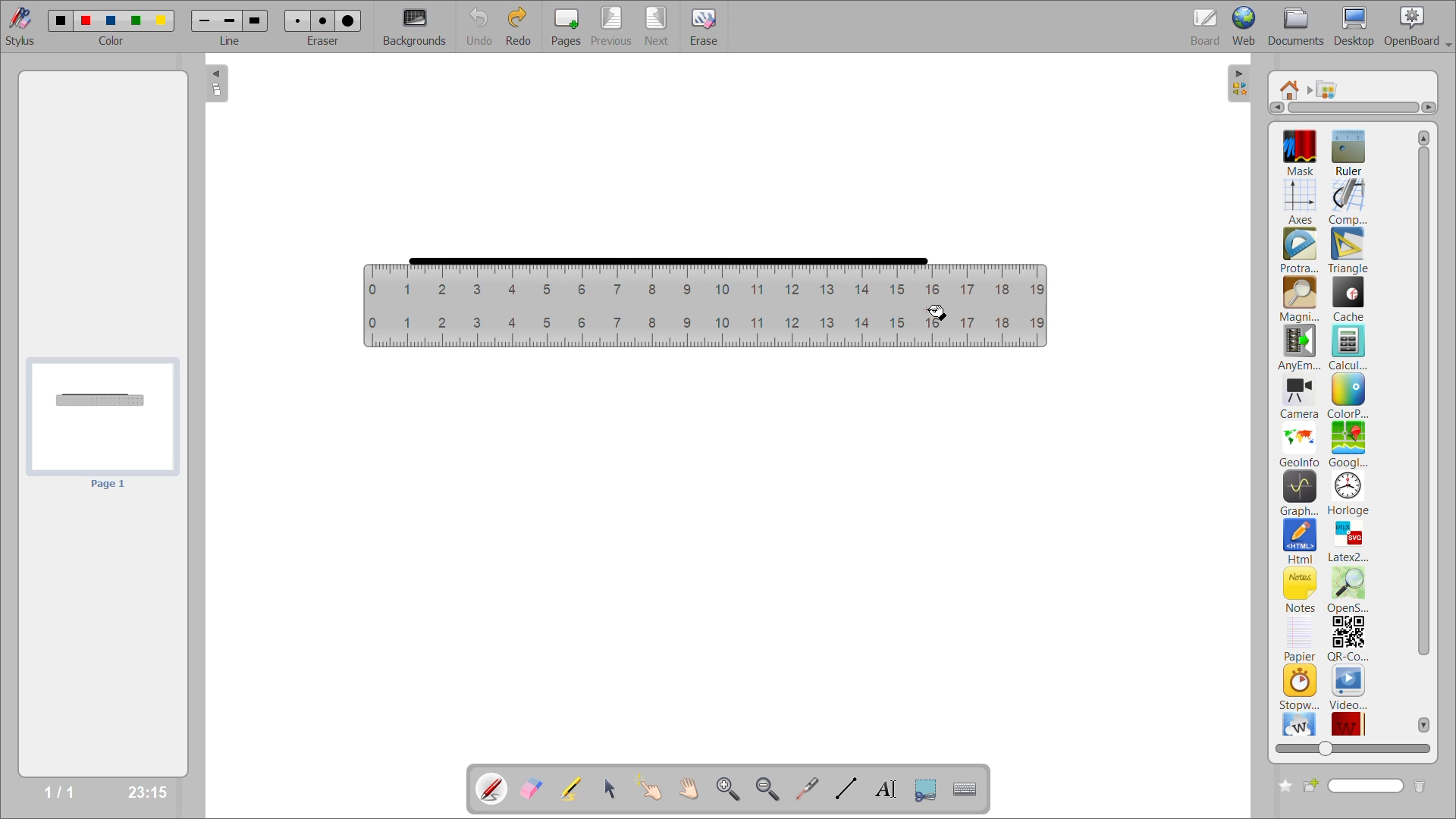 Image resolution: width=1456 pixels, height=819 pixels. Describe the element at coordinates (1301, 589) in the screenshot. I see `notes` at that location.